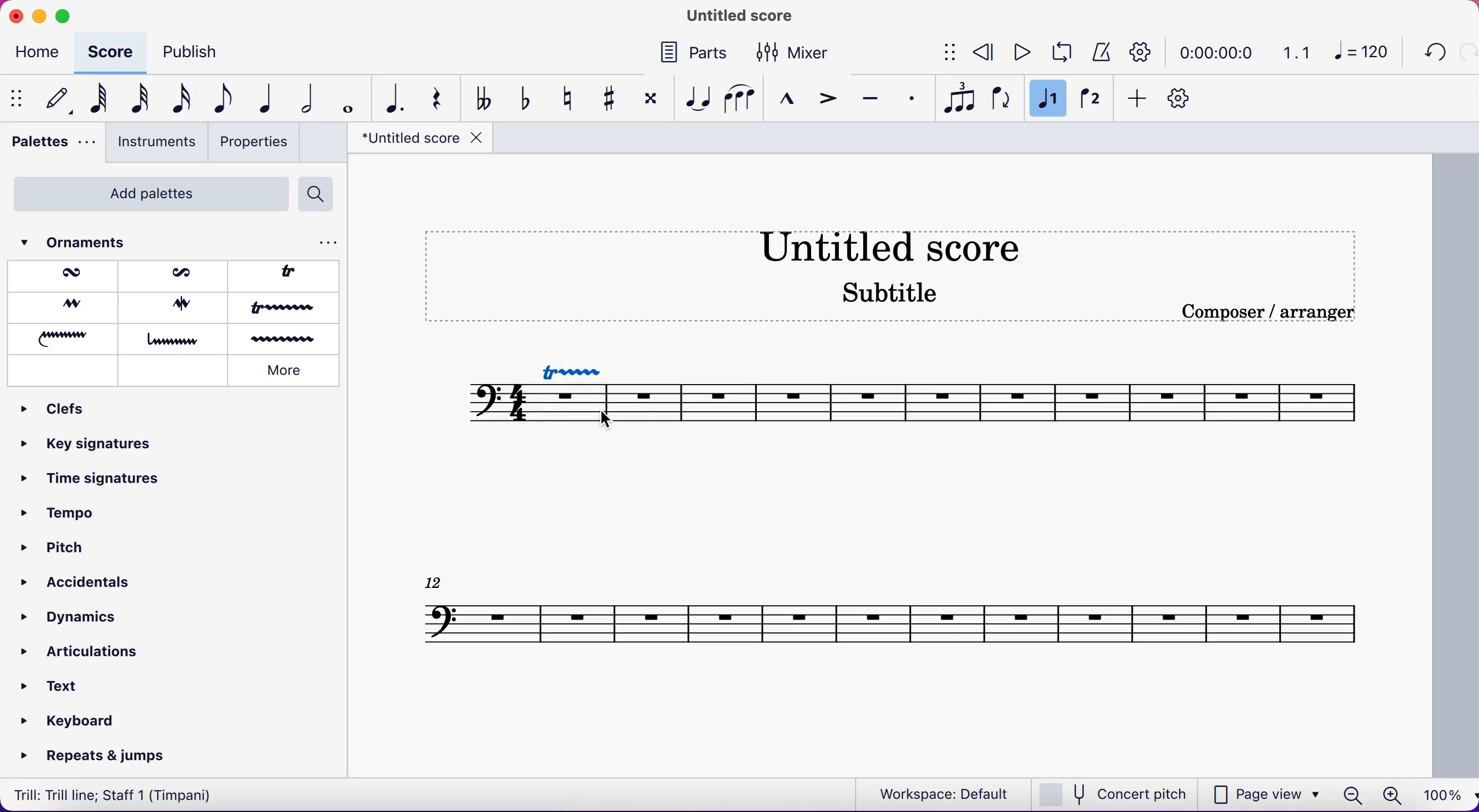 The width and height of the screenshot is (1479, 812). I want to click on playback settings, so click(1145, 51).